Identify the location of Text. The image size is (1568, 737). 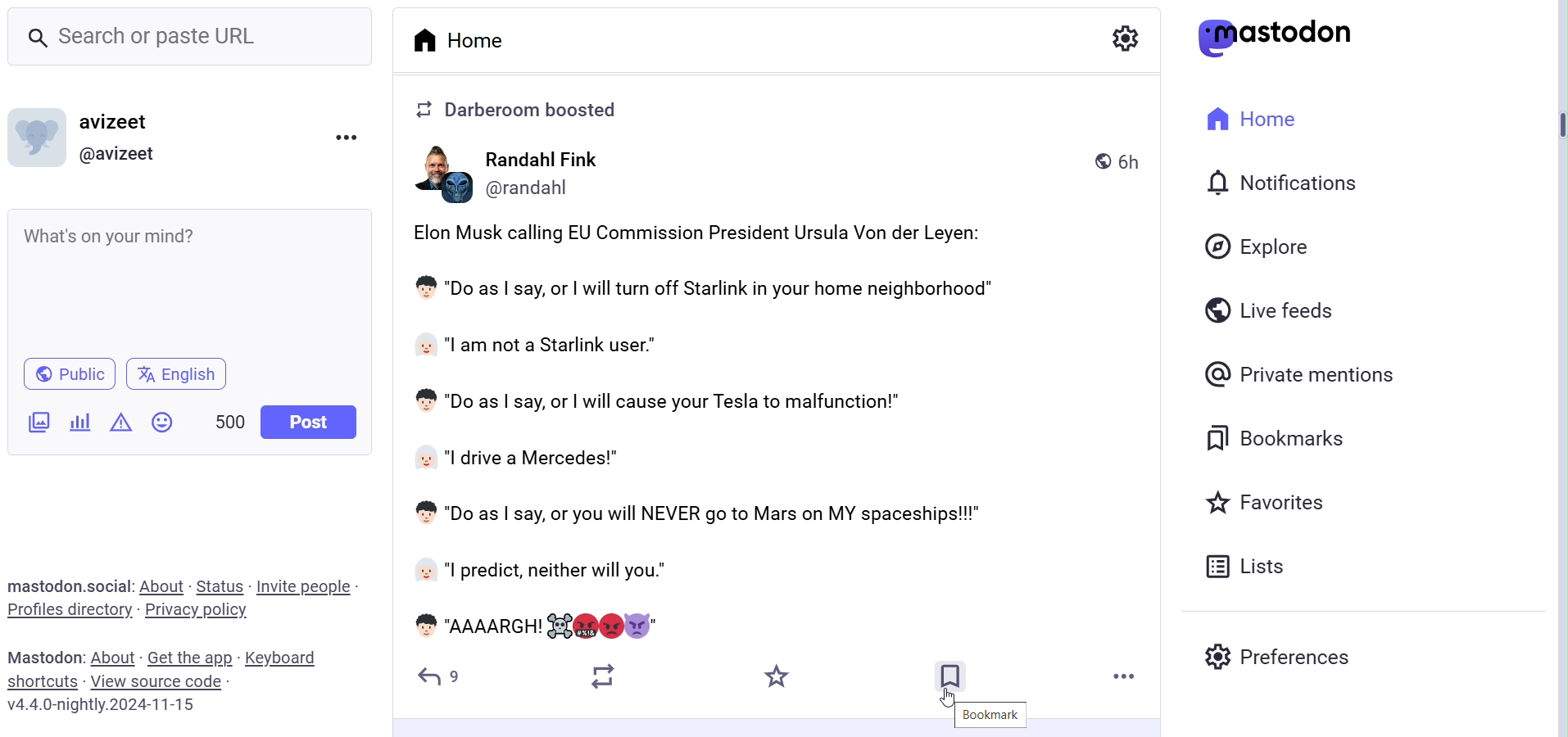
(45, 656).